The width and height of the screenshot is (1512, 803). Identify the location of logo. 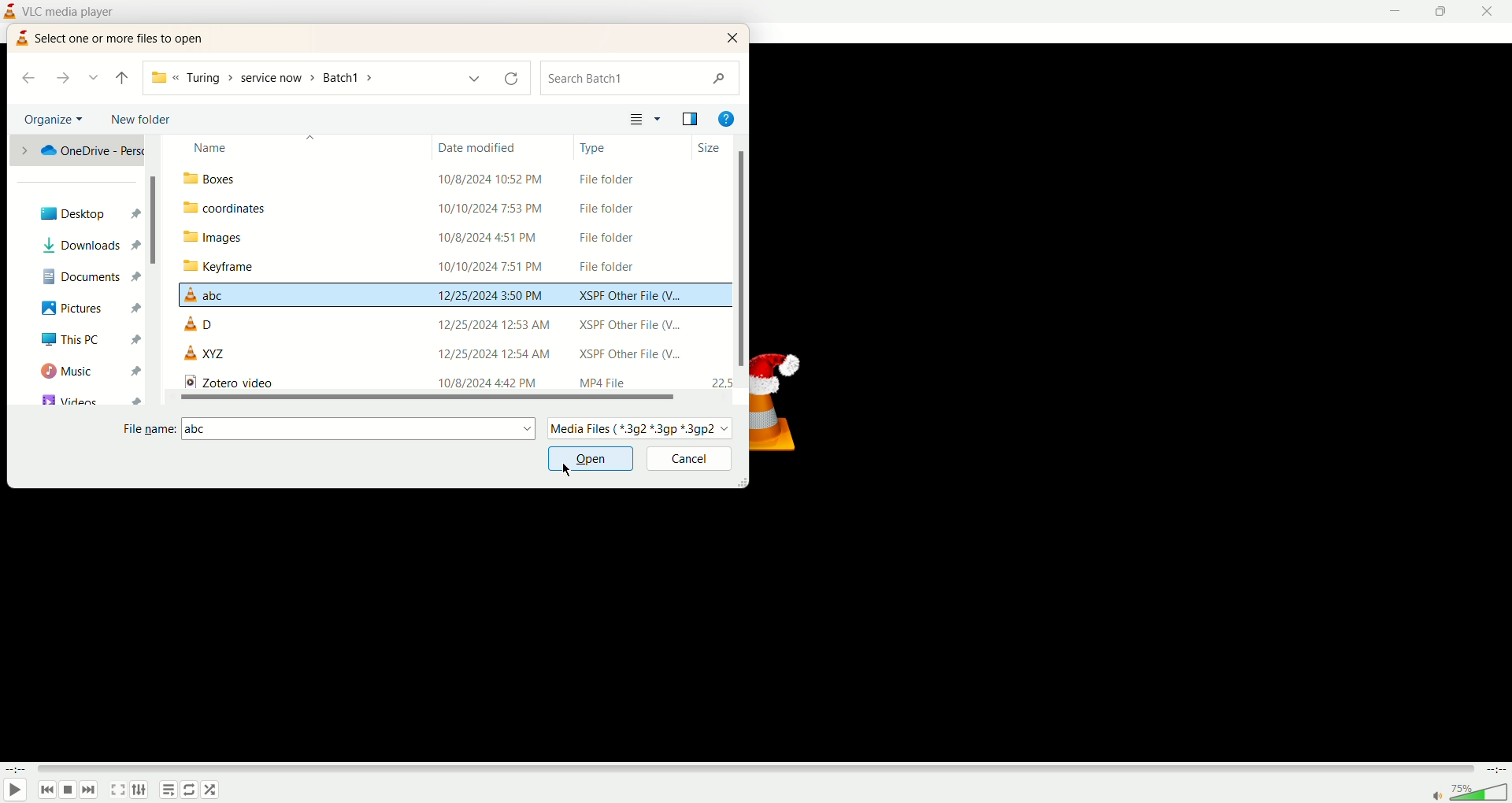
(21, 37).